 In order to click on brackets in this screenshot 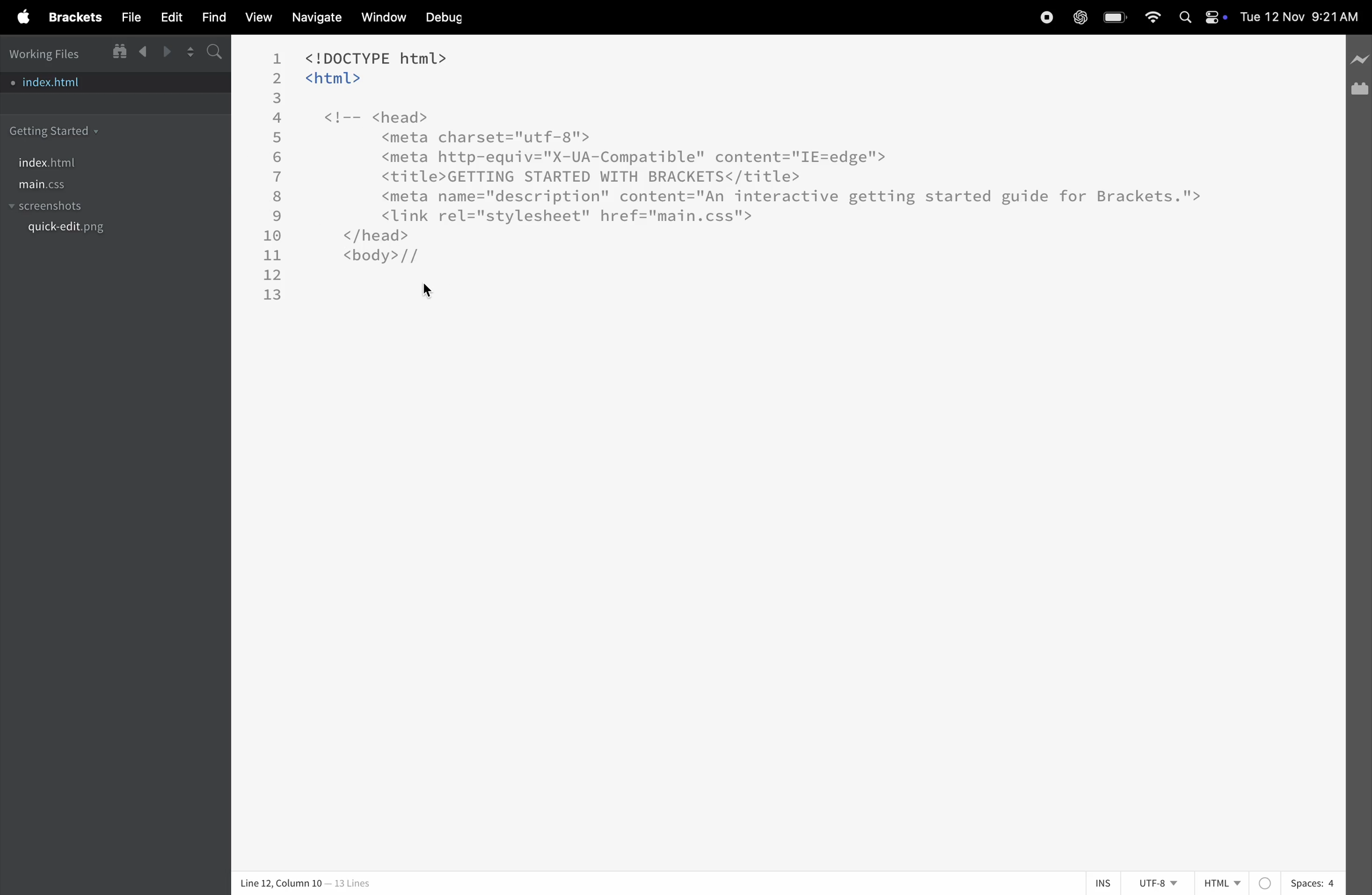, I will do `click(74, 16)`.